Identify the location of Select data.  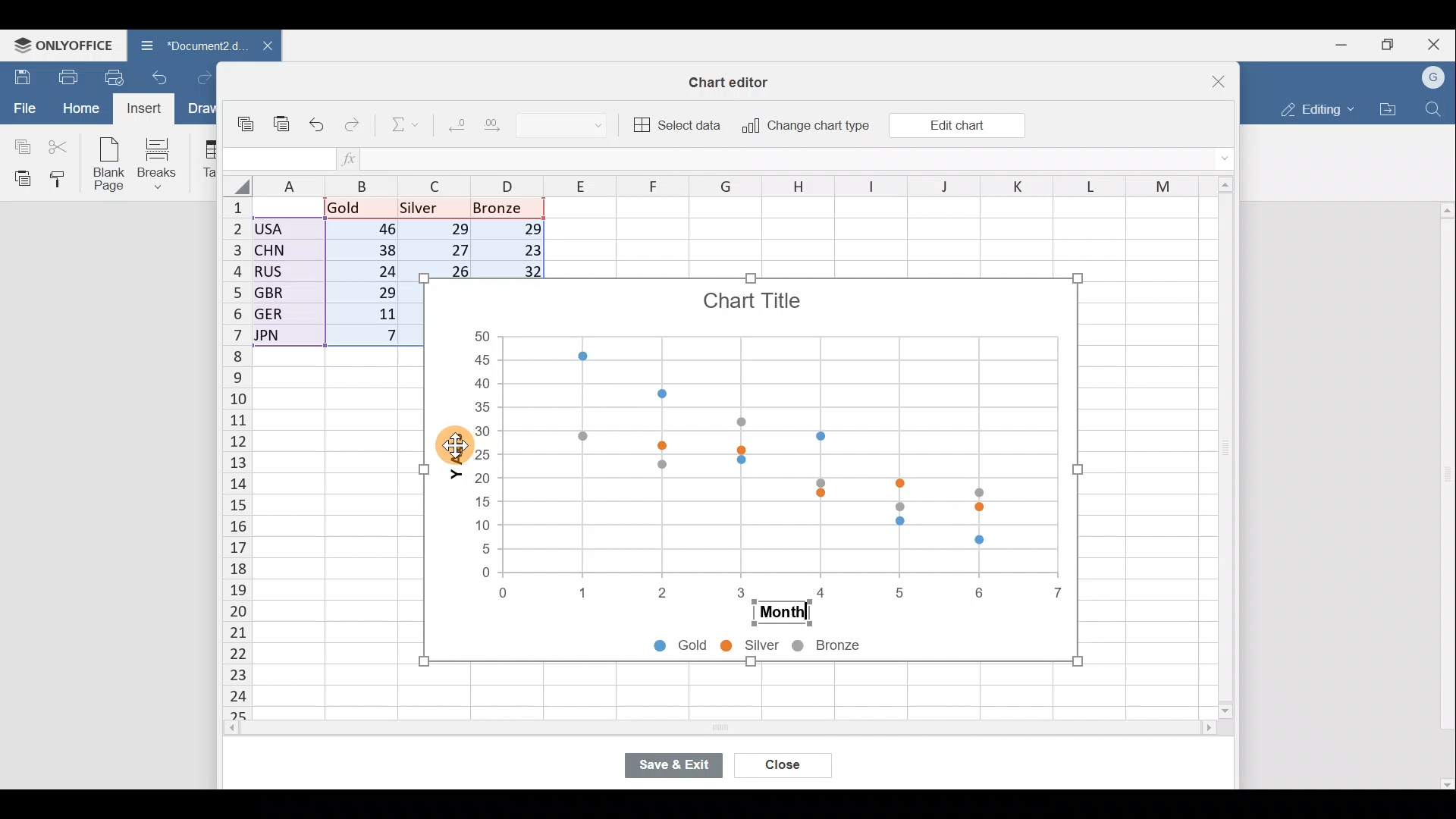
(679, 125).